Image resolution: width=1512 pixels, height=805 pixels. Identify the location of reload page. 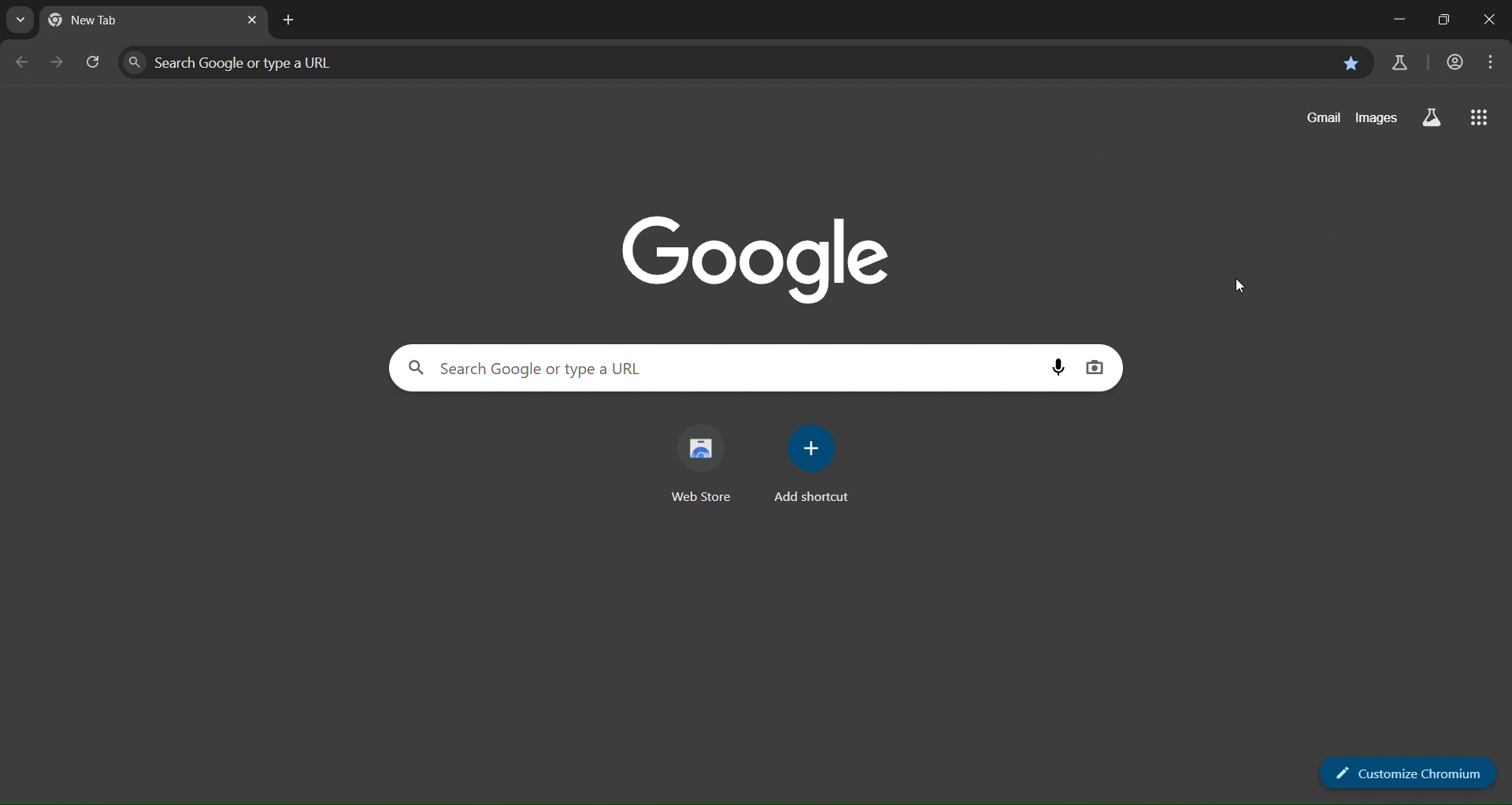
(95, 64).